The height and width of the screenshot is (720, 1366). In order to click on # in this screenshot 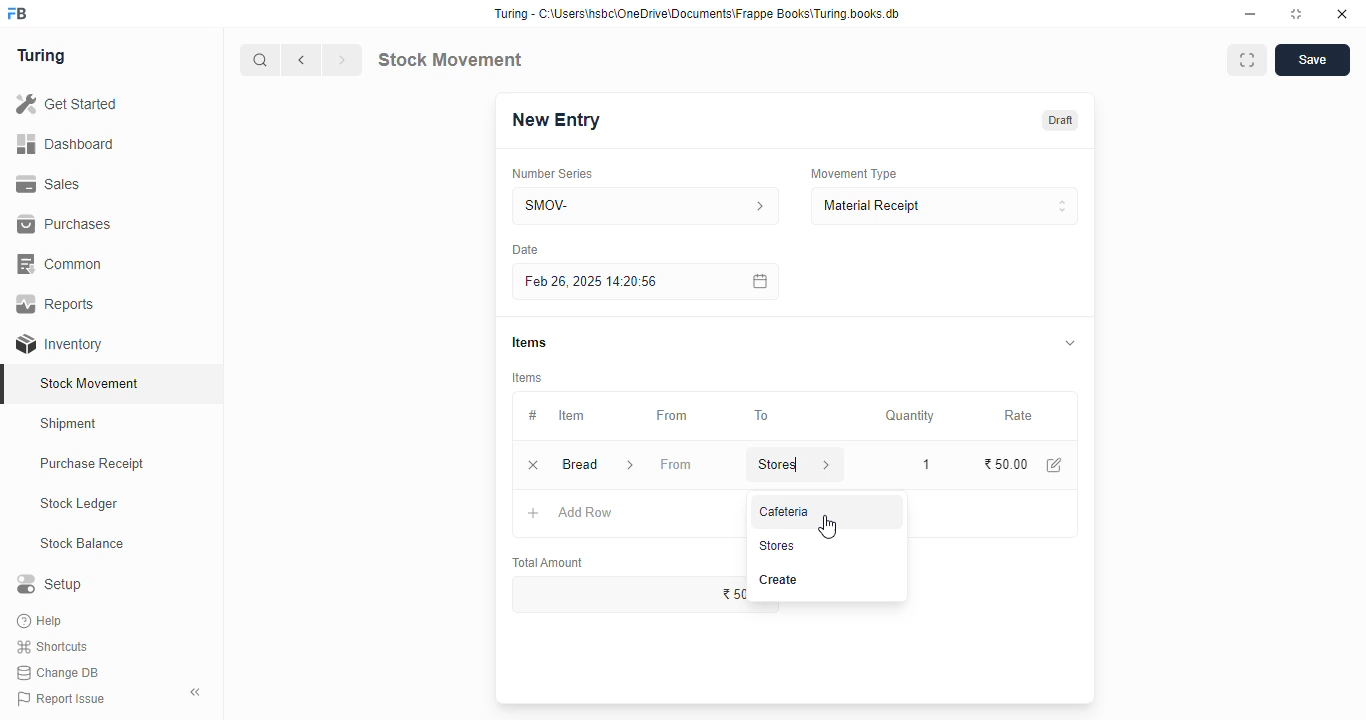, I will do `click(533, 416)`.